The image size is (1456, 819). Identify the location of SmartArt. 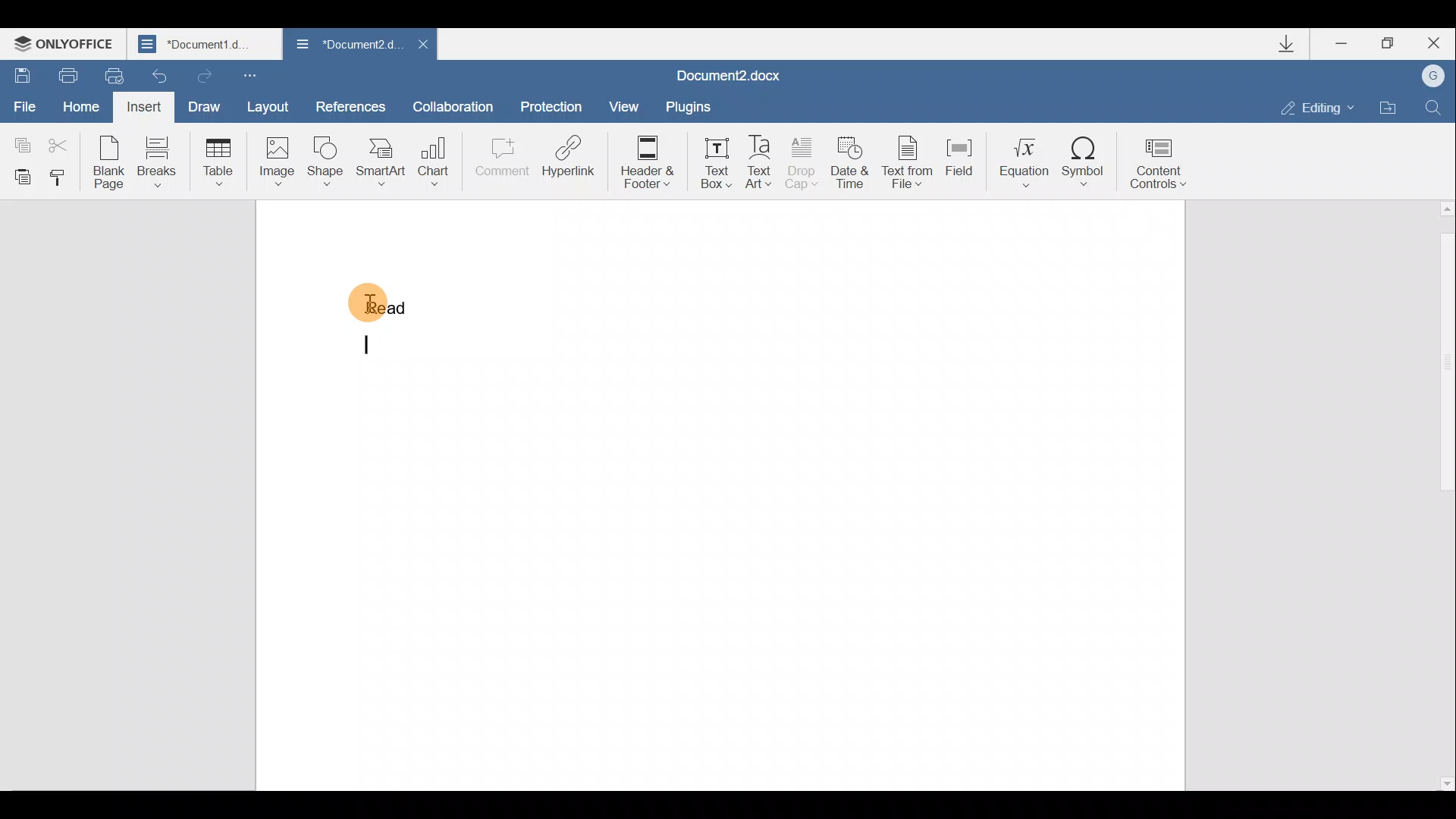
(381, 162).